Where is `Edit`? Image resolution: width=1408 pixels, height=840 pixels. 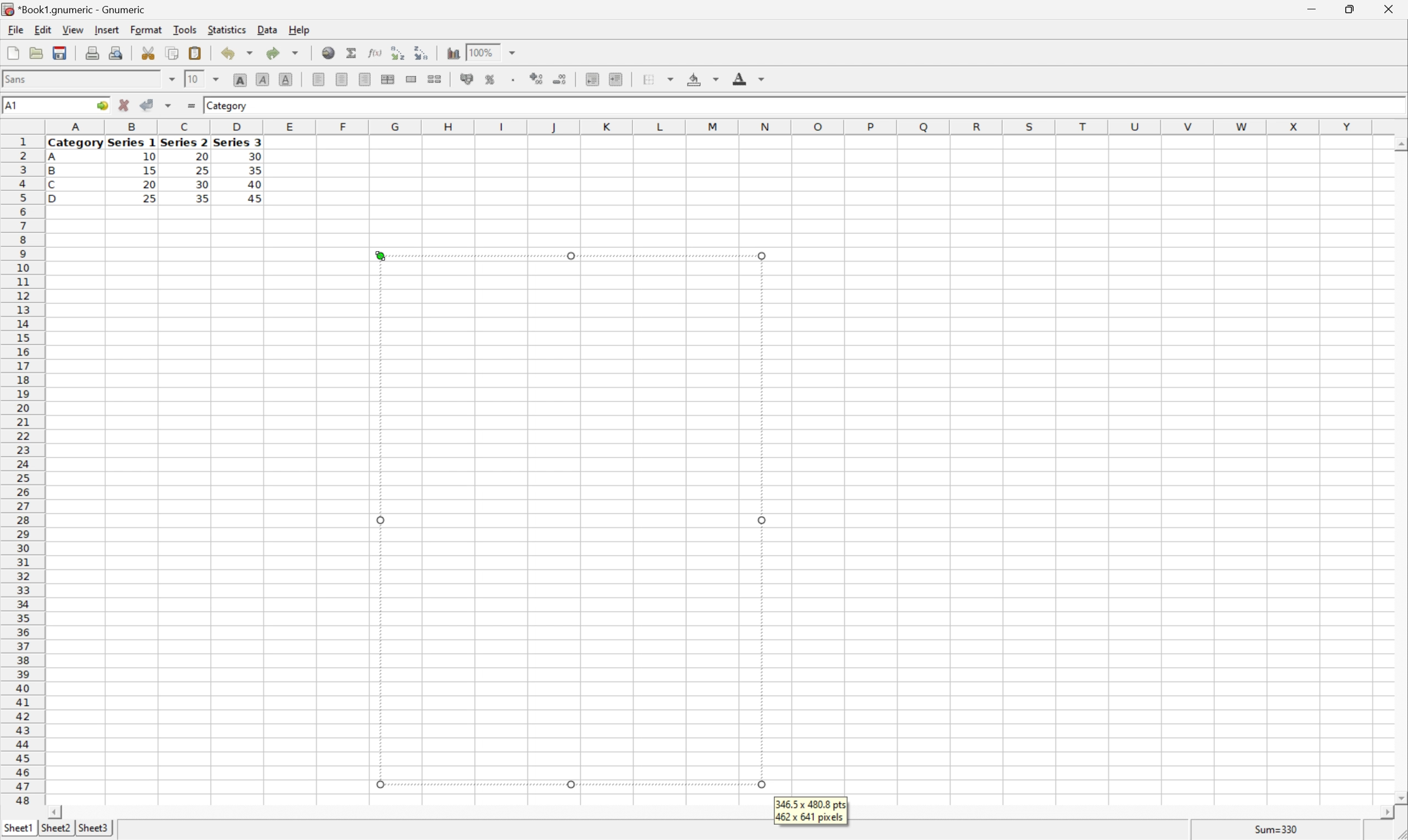
Edit is located at coordinates (43, 29).